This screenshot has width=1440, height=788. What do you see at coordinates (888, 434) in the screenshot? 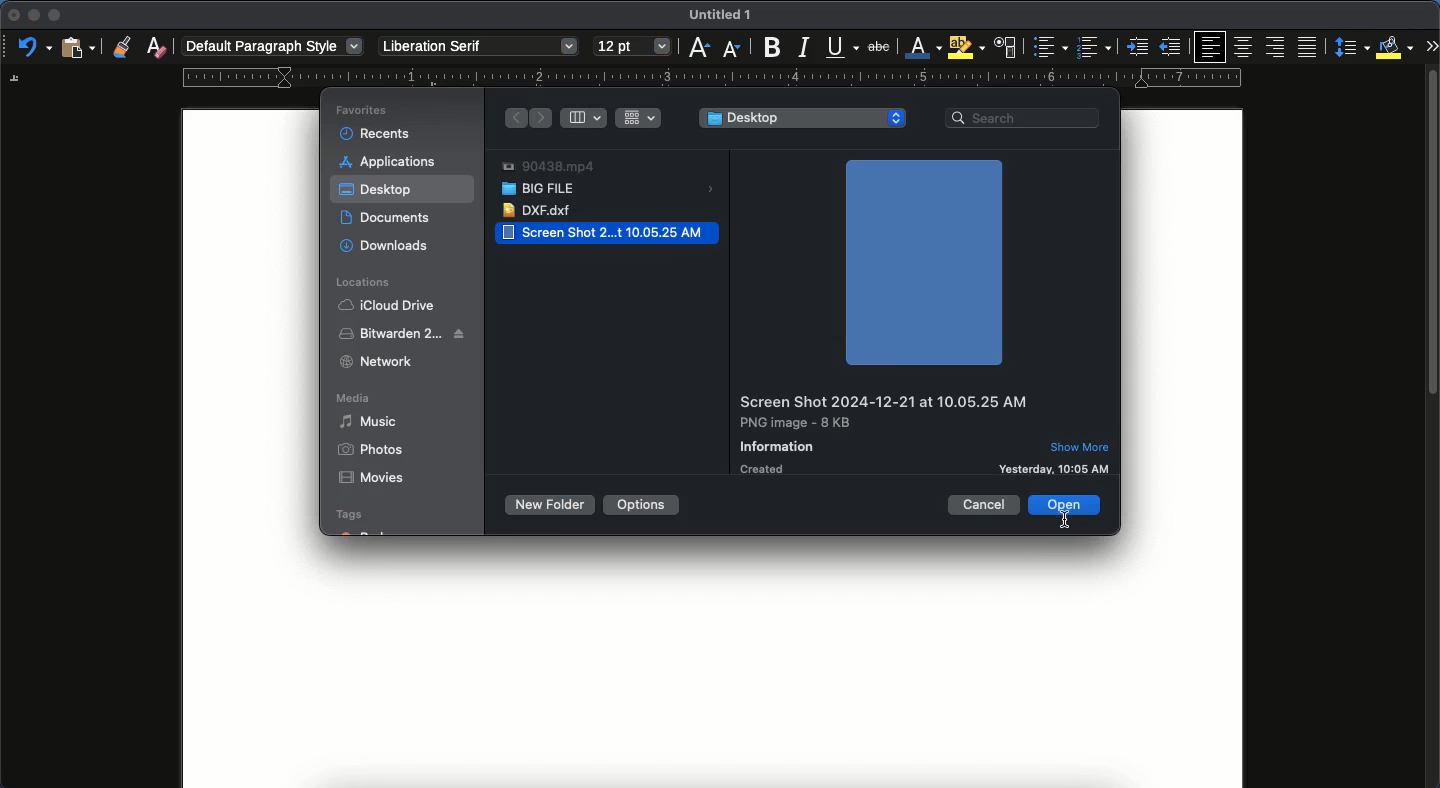
I see `Screen Shot 2024-12-21 at 10.05.25 AM - details` at bounding box center [888, 434].